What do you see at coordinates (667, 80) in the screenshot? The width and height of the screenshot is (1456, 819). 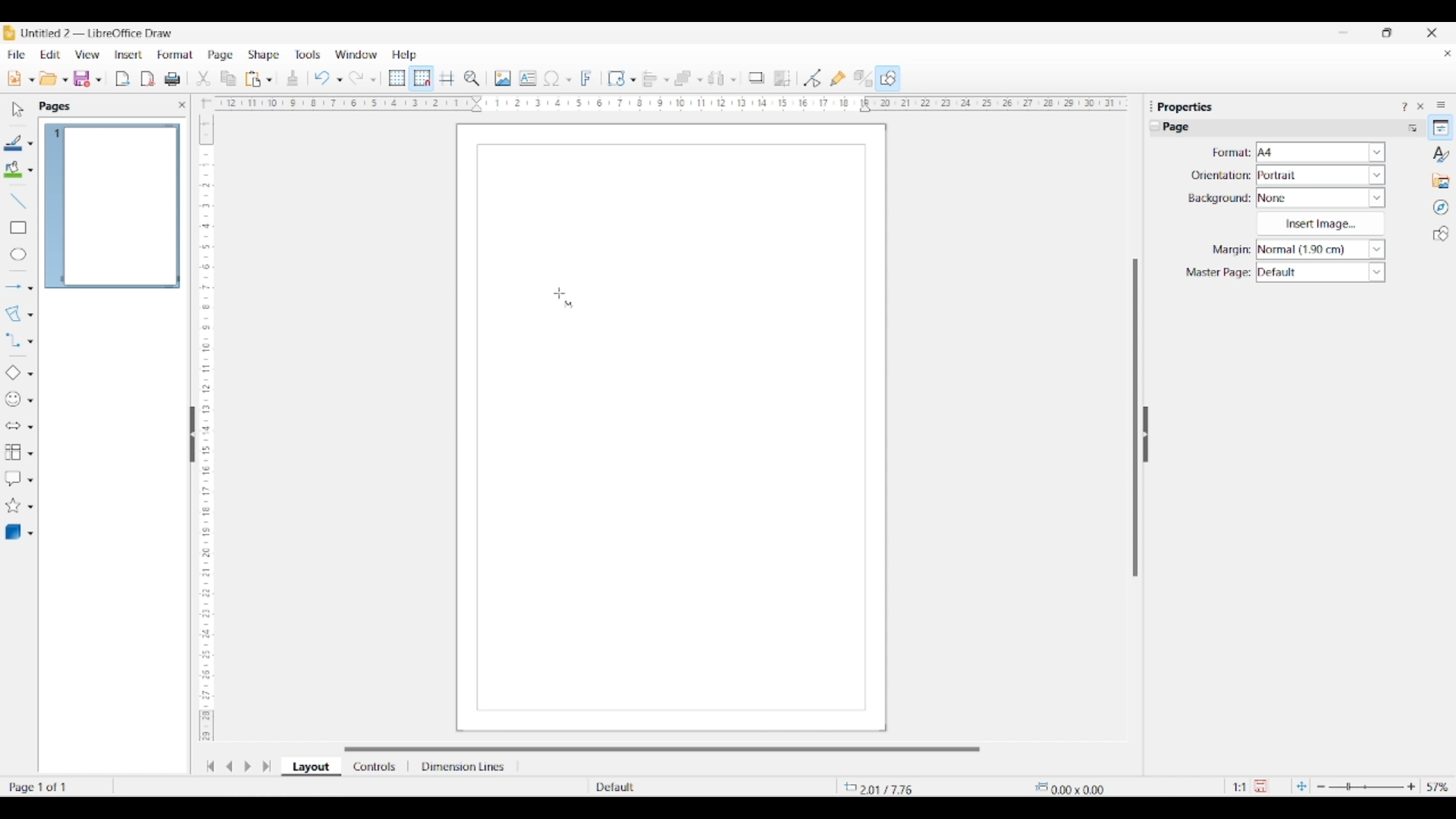 I see `Align object options` at bounding box center [667, 80].